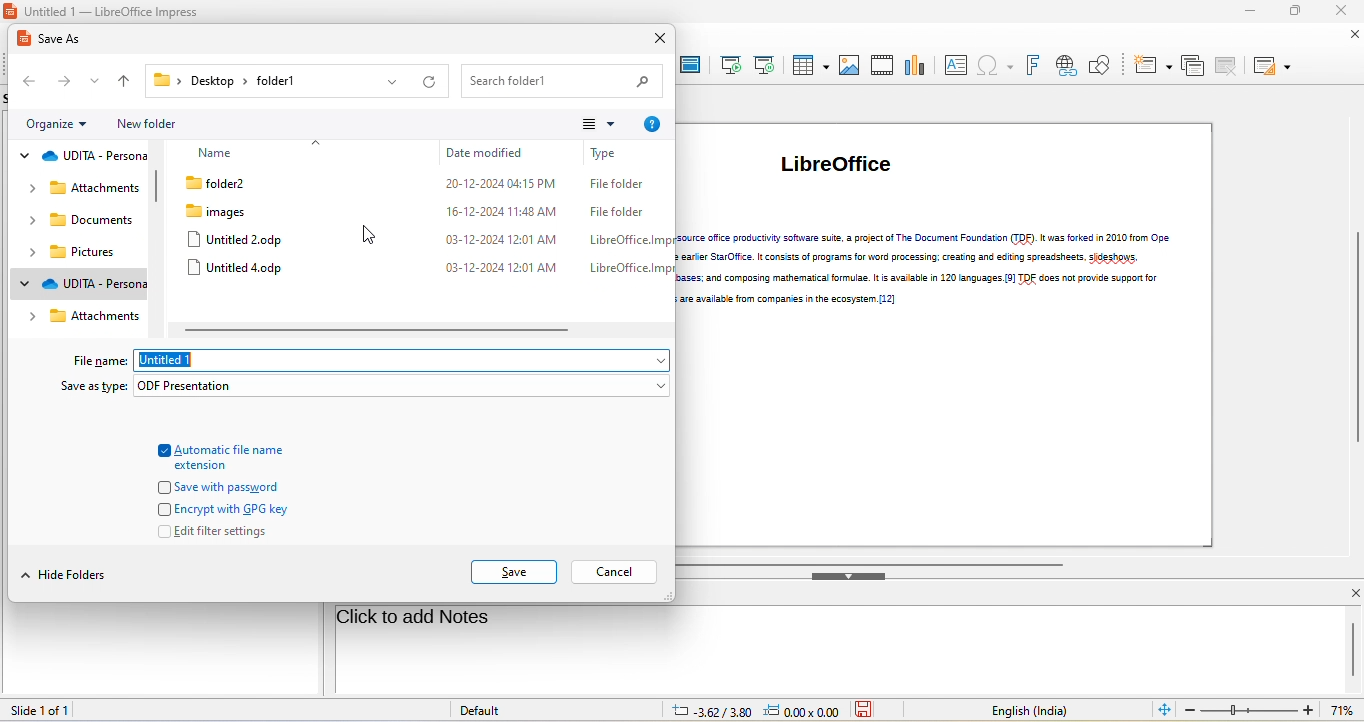 This screenshot has width=1364, height=722. What do you see at coordinates (874, 563) in the screenshot?
I see `horizontal scroll bar` at bounding box center [874, 563].